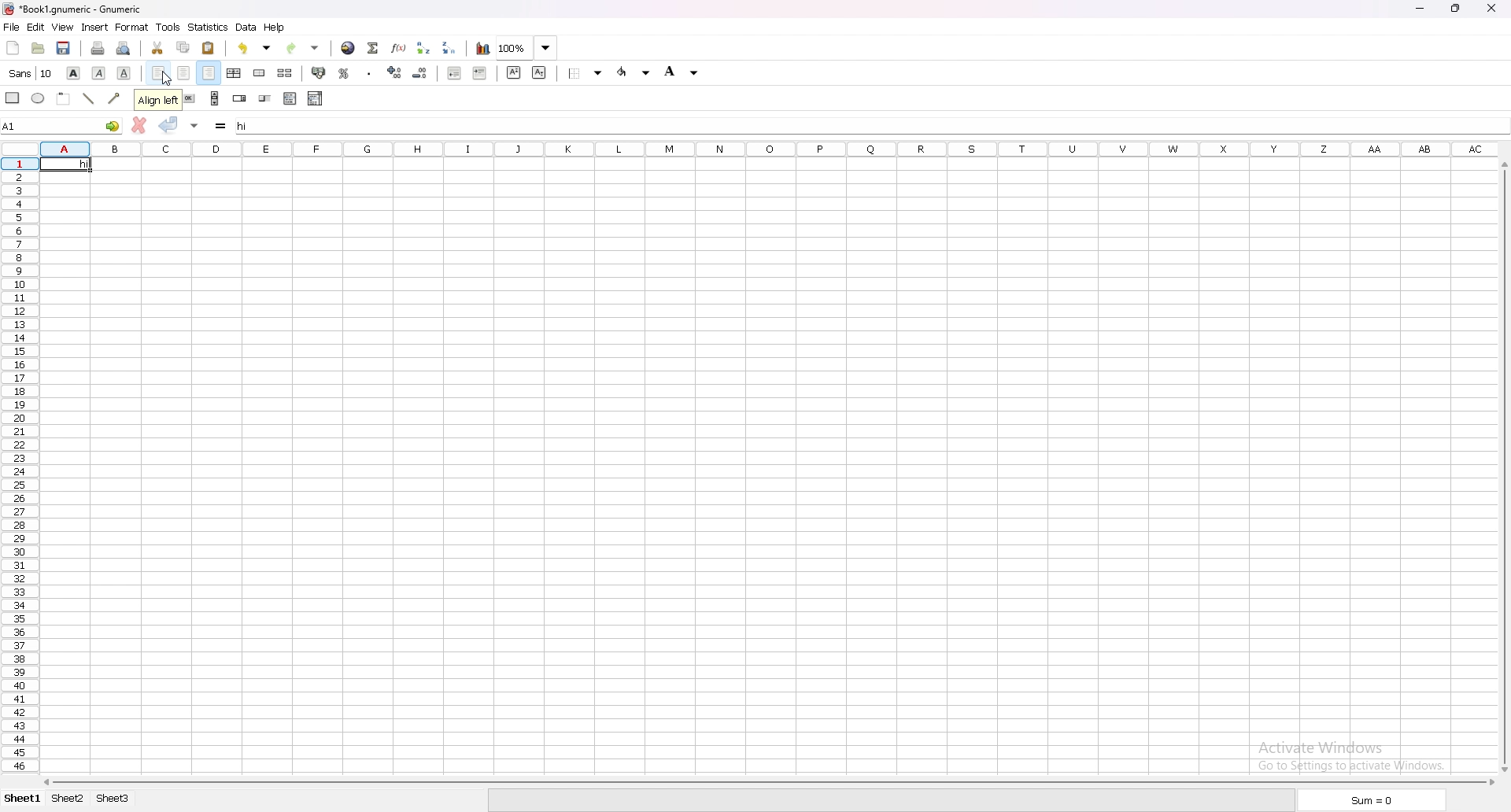 This screenshot has height=812, width=1511. What do you see at coordinates (395, 72) in the screenshot?
I see `decrease decimal` at bounding box center [395, 72].